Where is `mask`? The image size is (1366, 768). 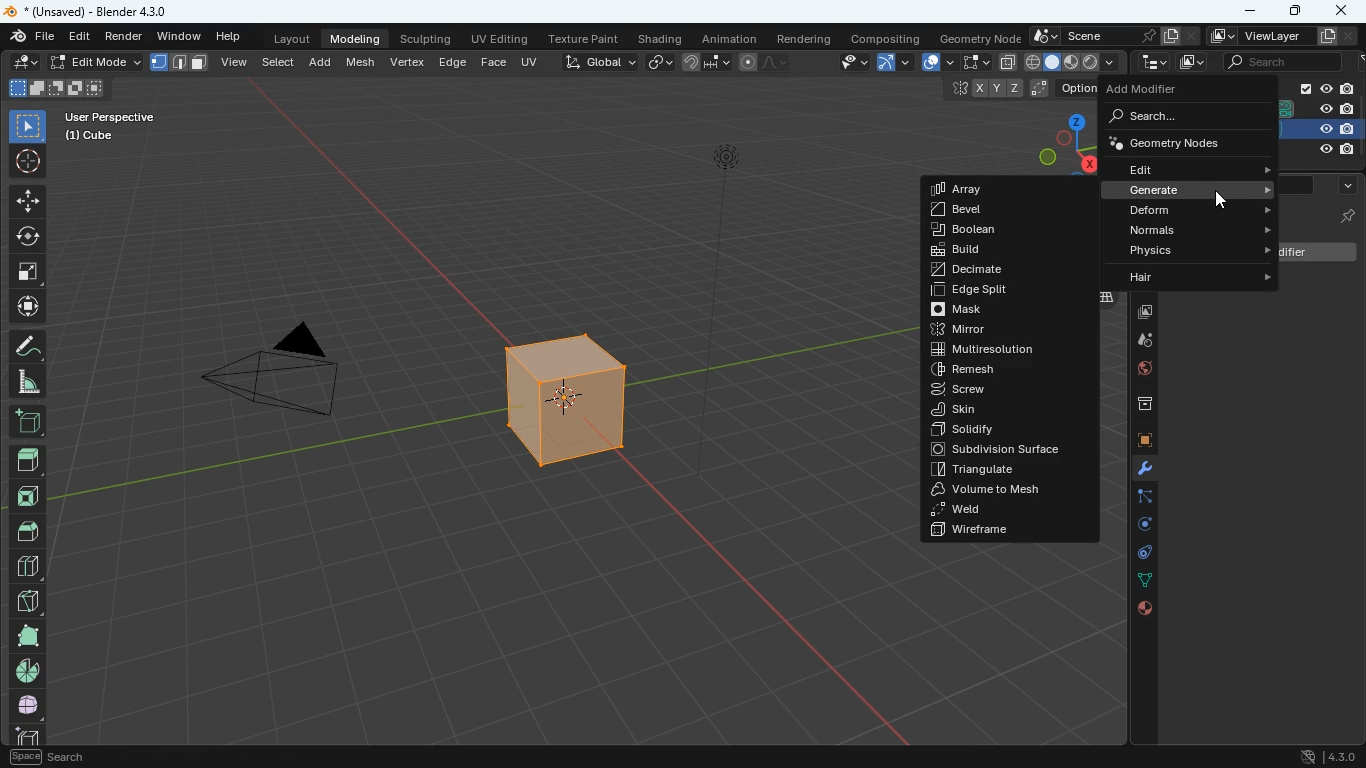 mask is located at coordinates (991, 310).